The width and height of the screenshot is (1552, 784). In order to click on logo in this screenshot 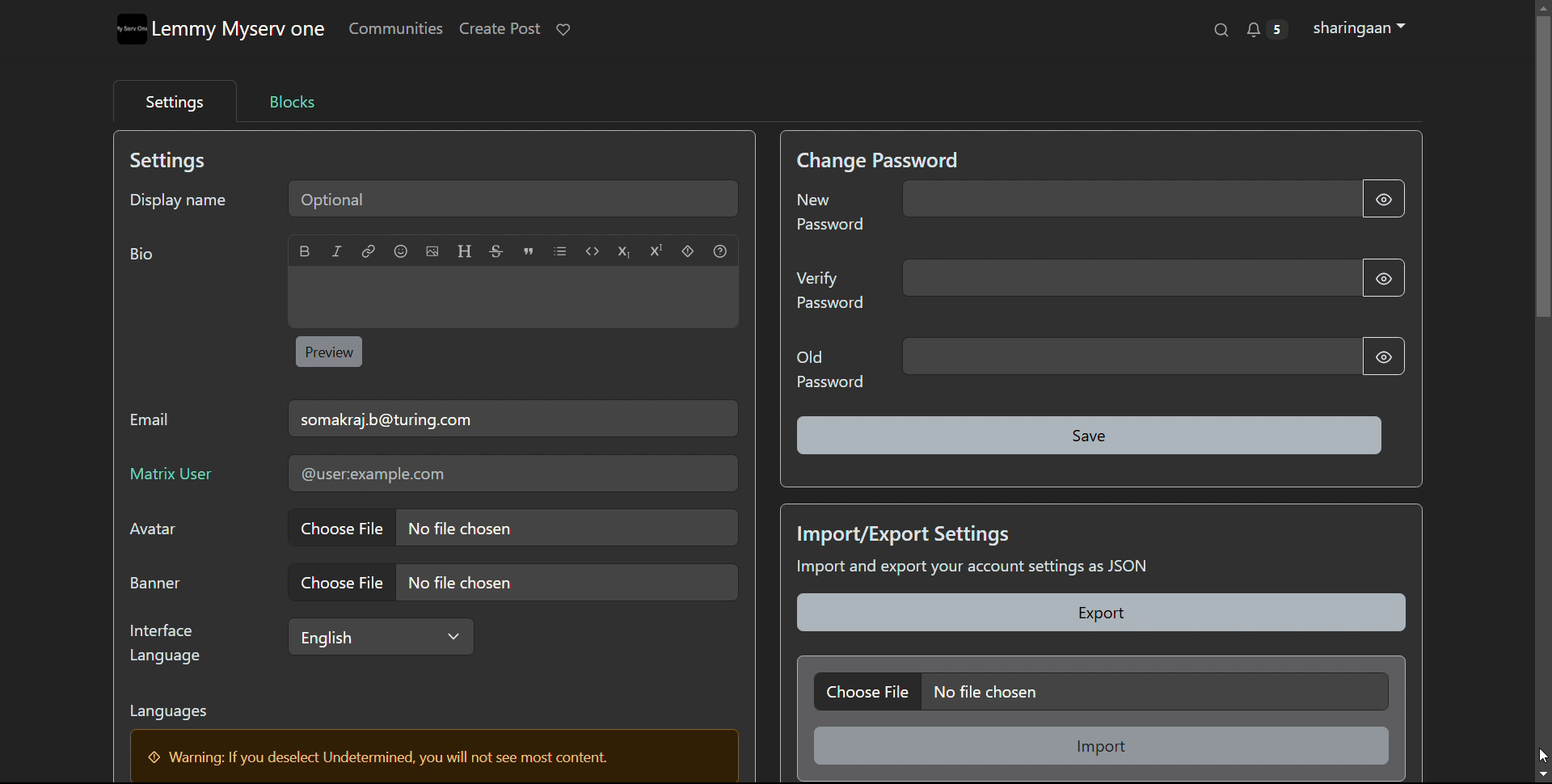, I will do `click(129, 29)`.